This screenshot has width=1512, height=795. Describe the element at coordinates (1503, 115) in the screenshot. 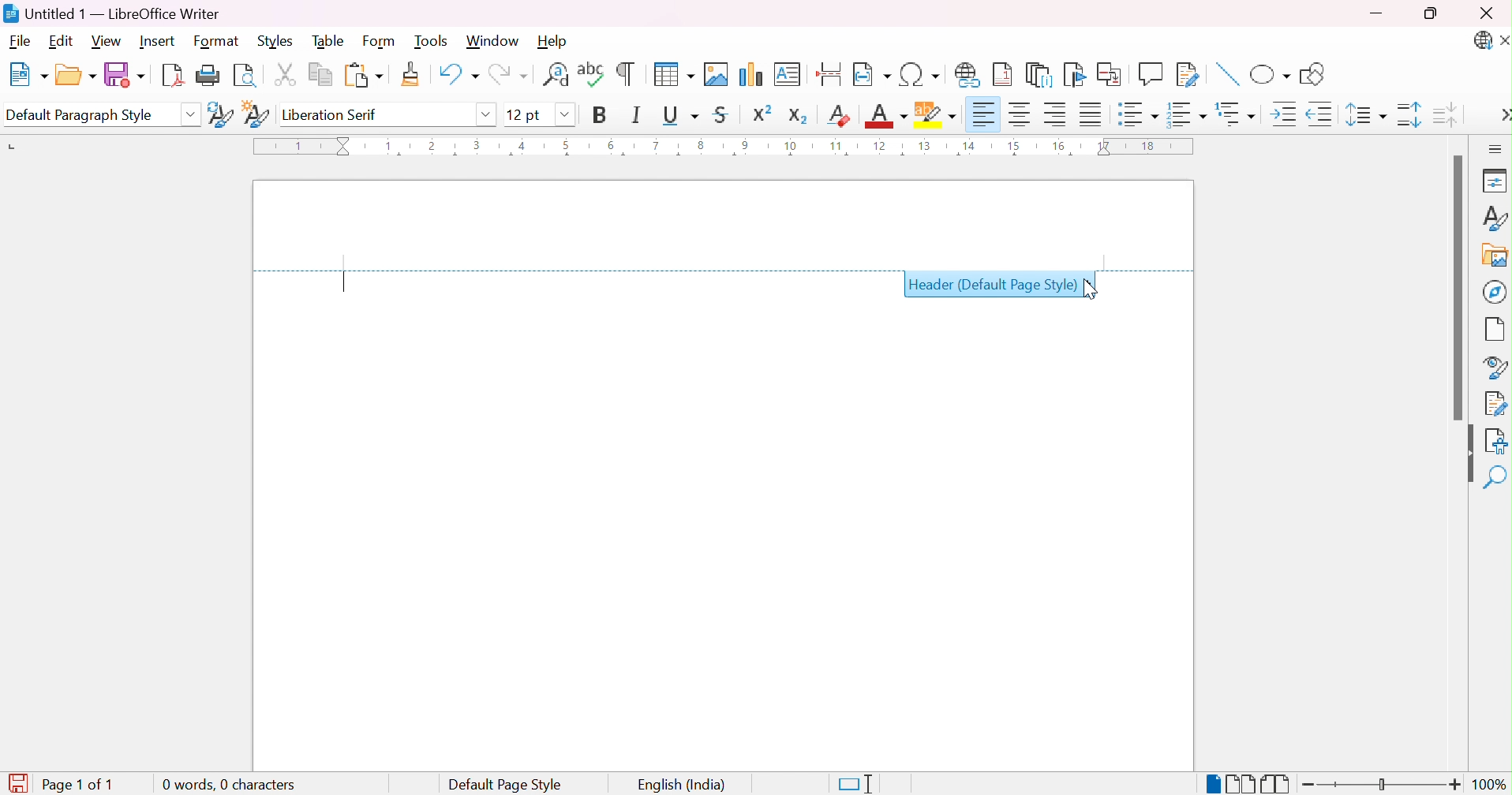

I see `More` at that location.